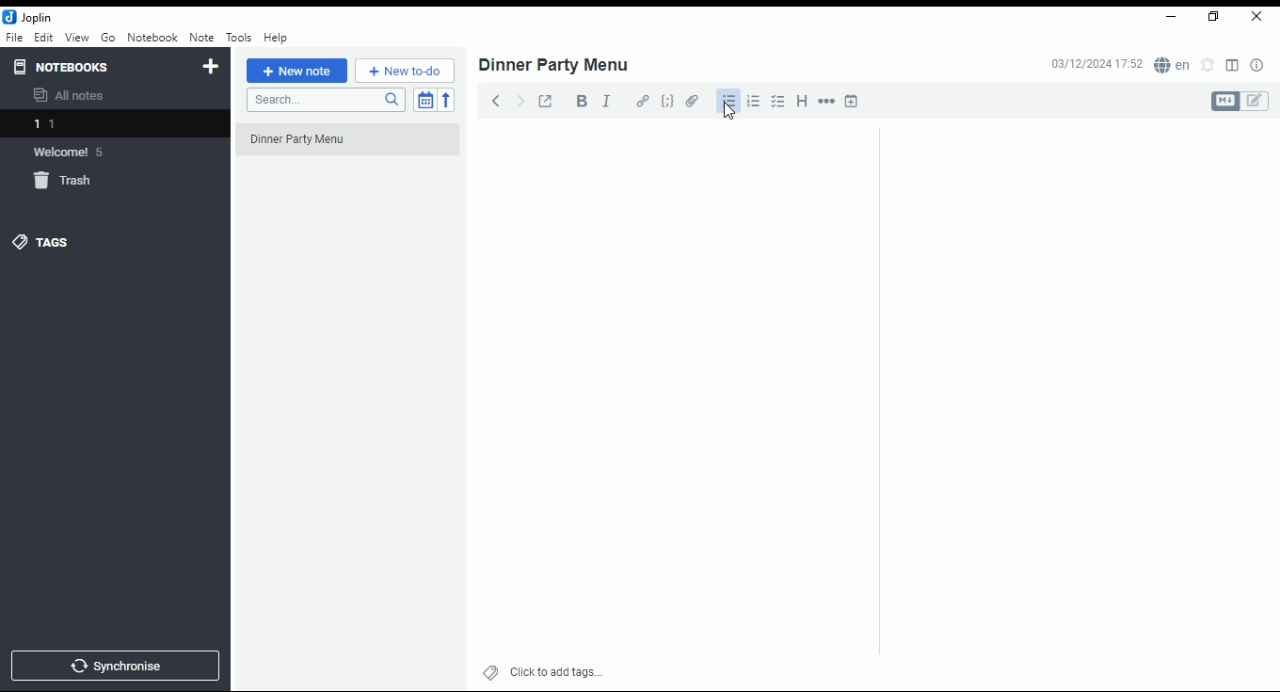 The width and height of the screenshot is (1280, 692). I want to click on help, so click(276, 38).